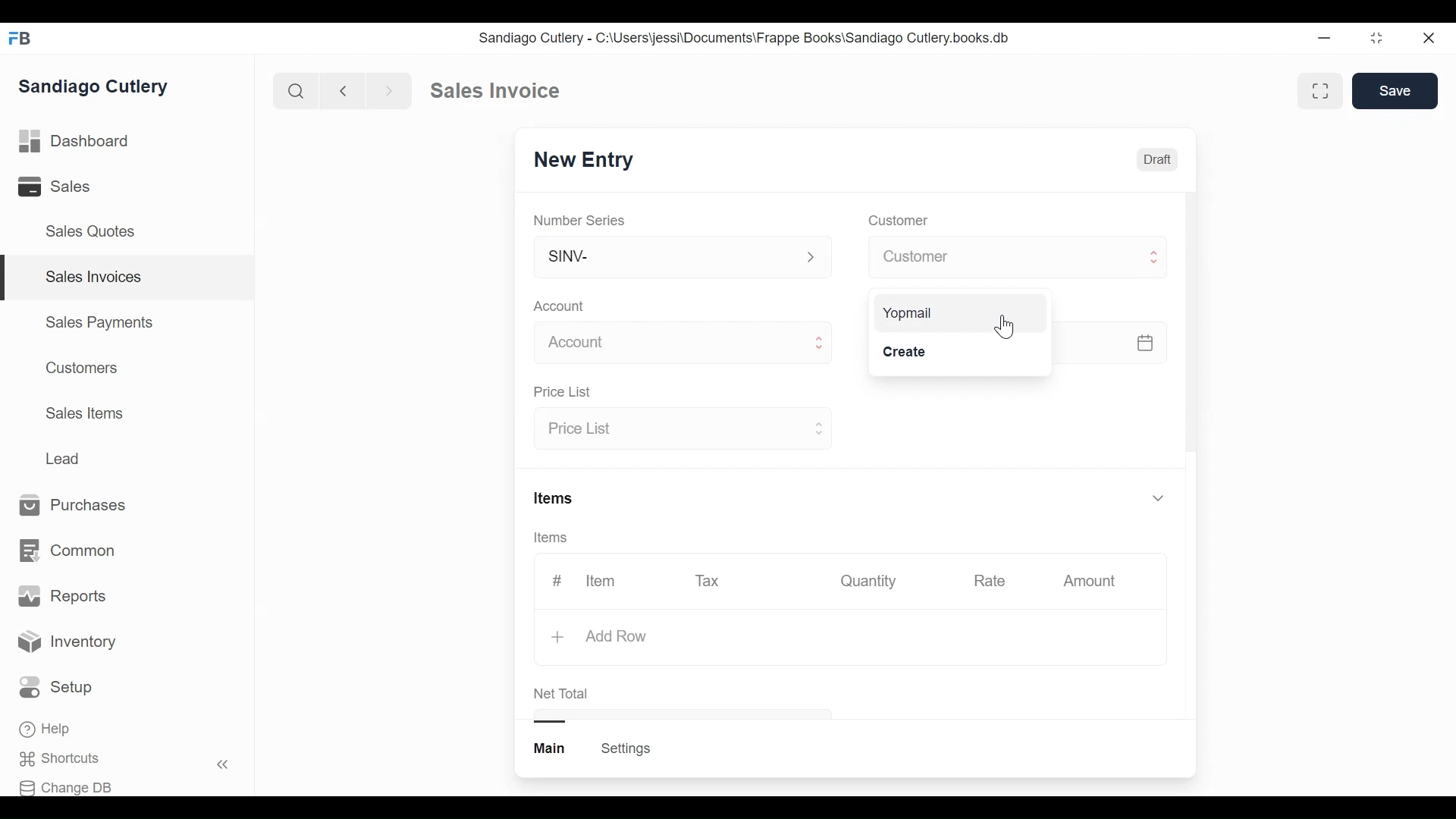 The width and height of the screenshot is (1456, 819). Describe the element at coordinates (896, 221) in the screenshot. I see `Customer` at that location.